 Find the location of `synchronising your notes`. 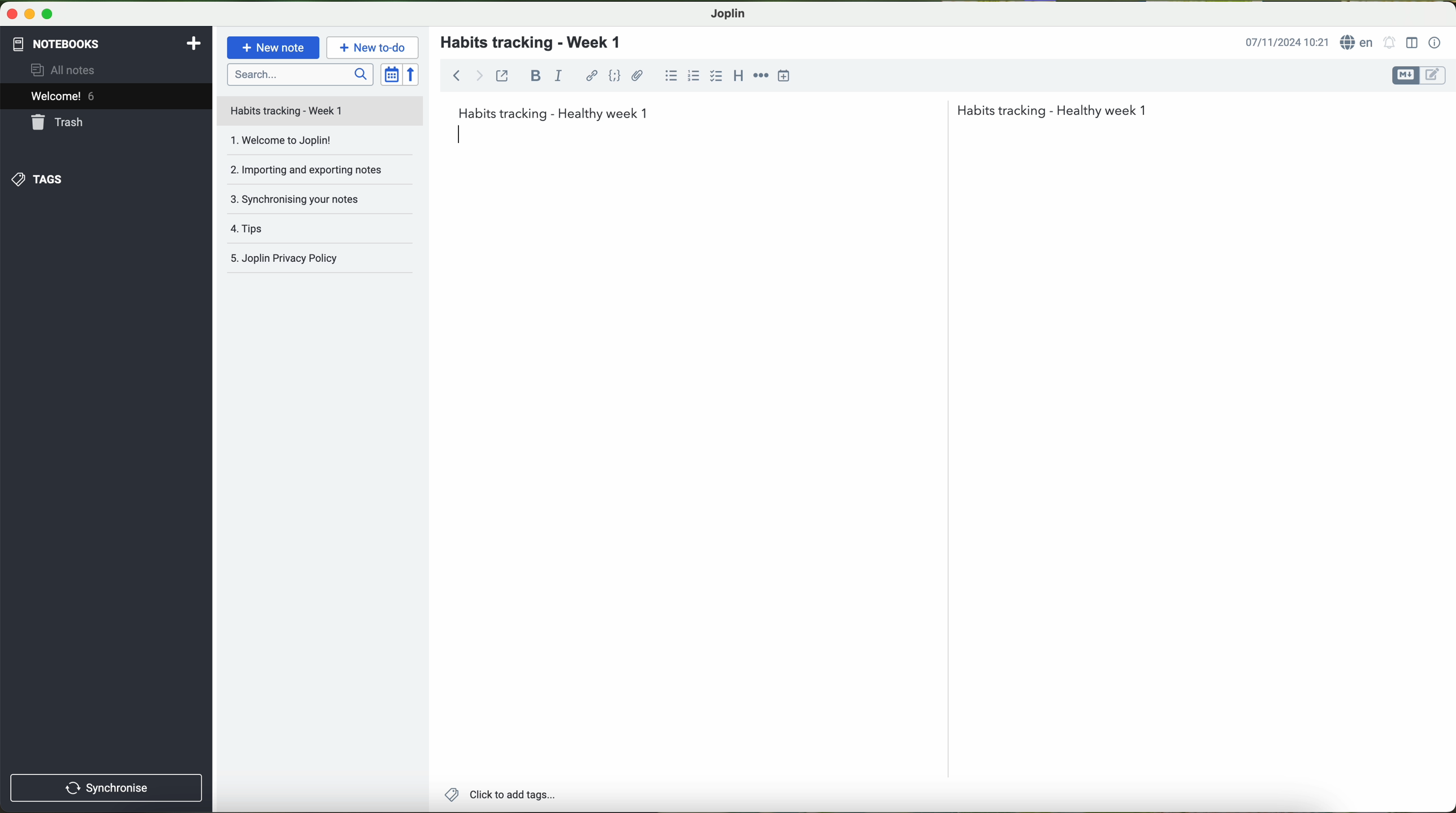

synchronising your notes is located at coordinates (324, 203).